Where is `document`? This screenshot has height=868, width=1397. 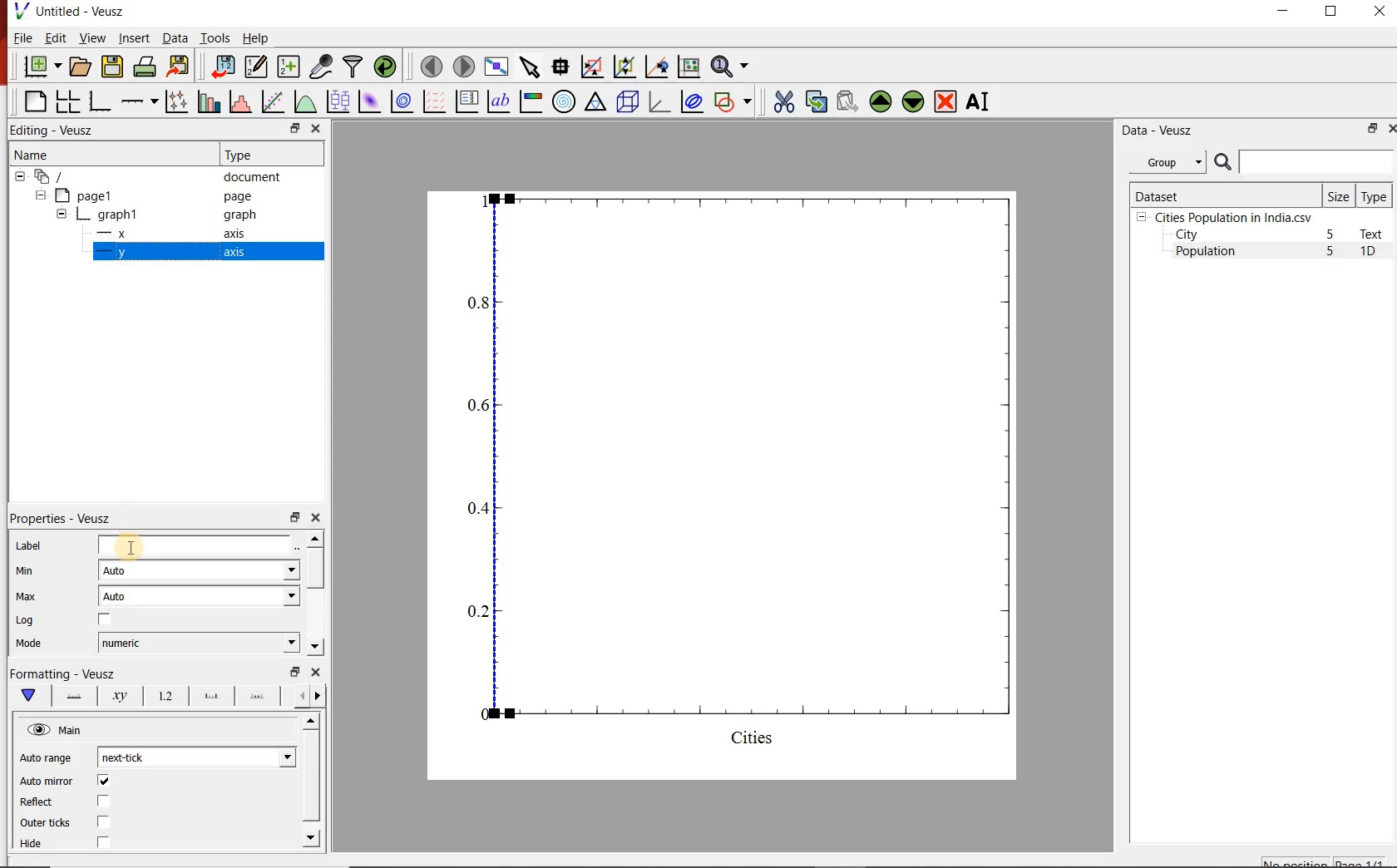
document is located at coordinates (153, 175).